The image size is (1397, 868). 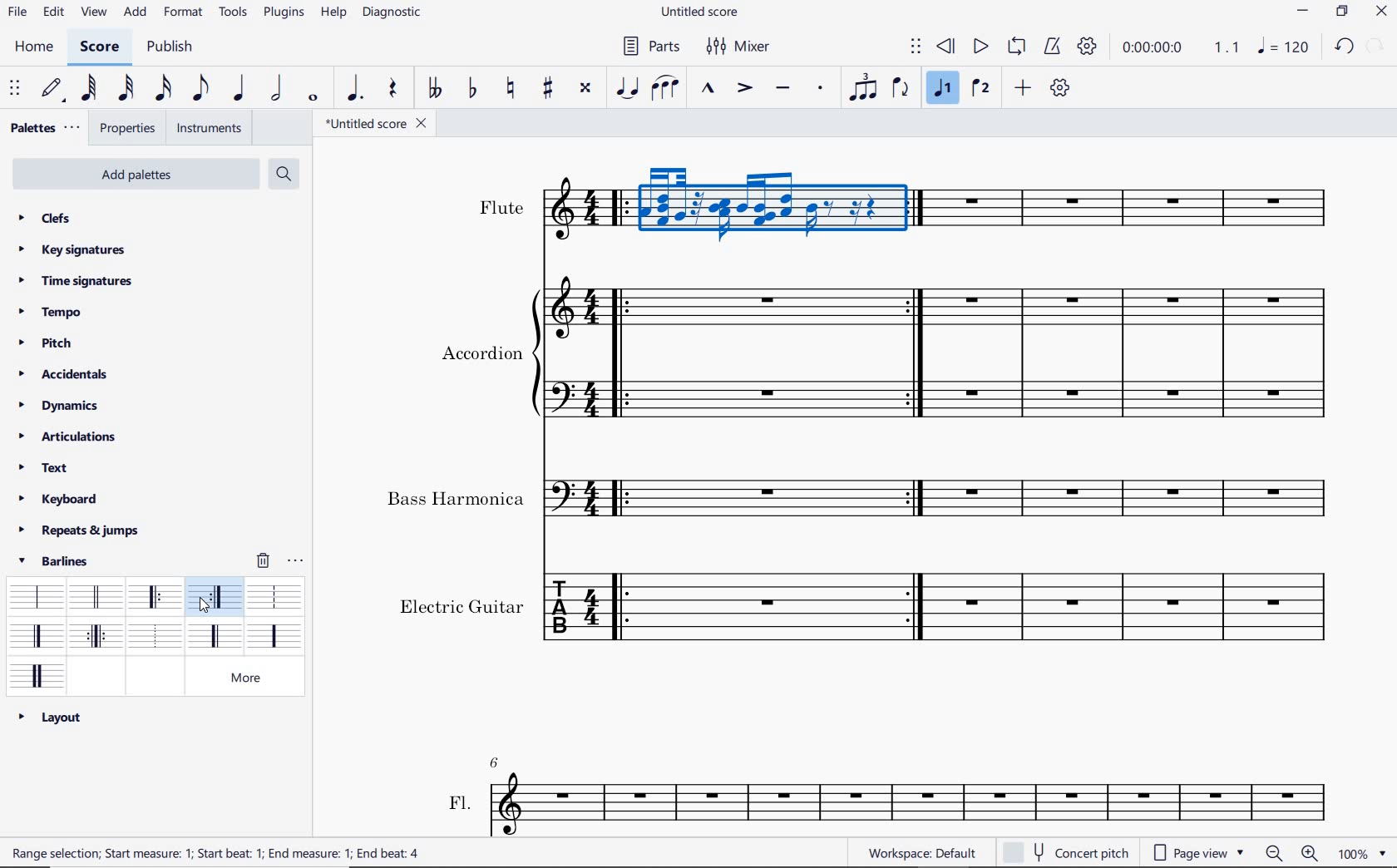 I want to click on left (start) repeat sign added, so click(x=623, y=608).